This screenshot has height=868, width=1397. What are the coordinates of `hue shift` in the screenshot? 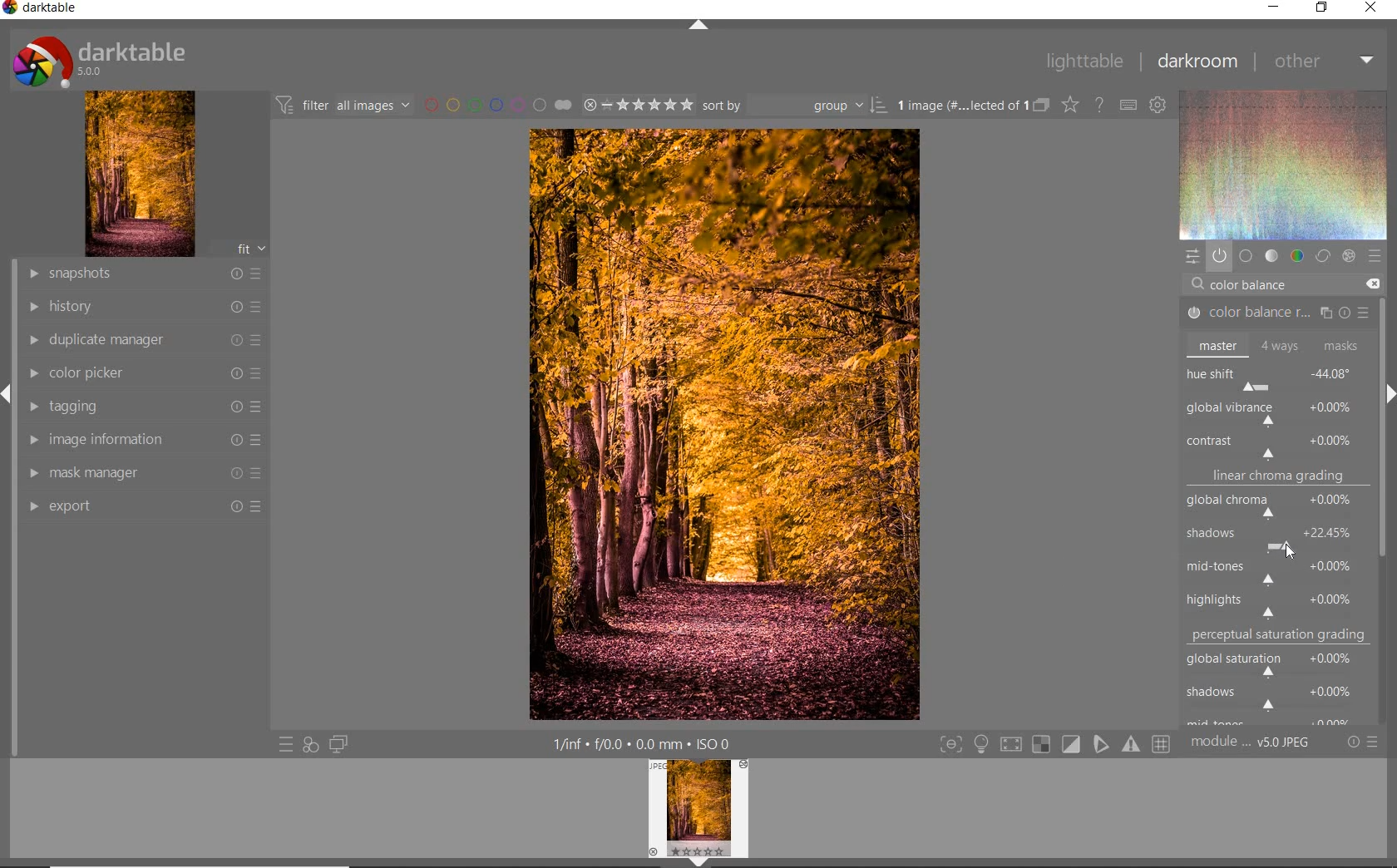 It's located at (1277, 377).